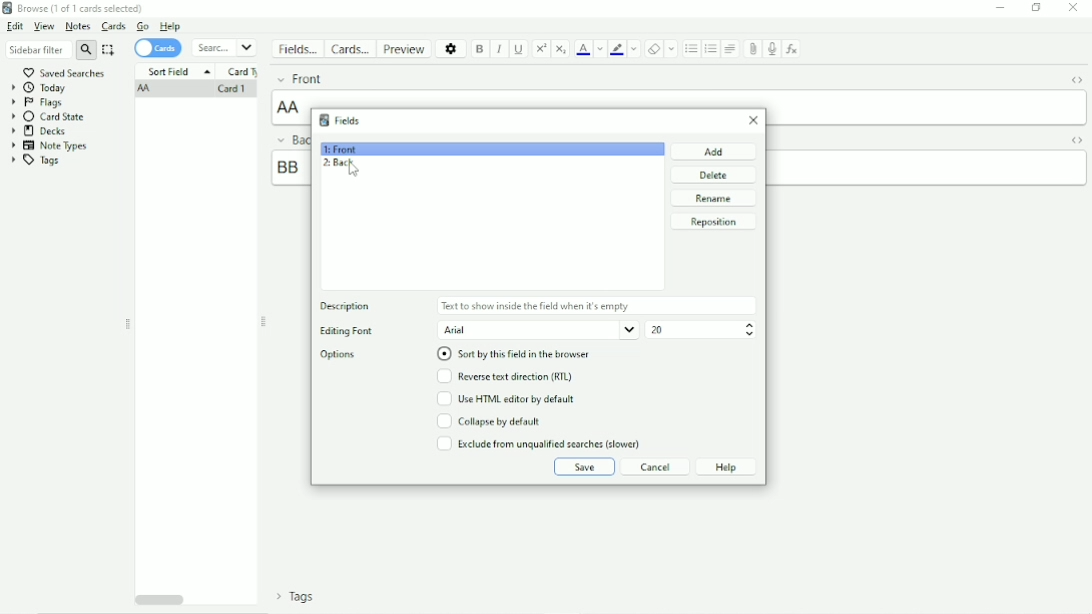 The width and height of the screenshot is (1092, 614). Describe the element at coordinates (115, 26) in the screenshot. I see `Cards` at that location.